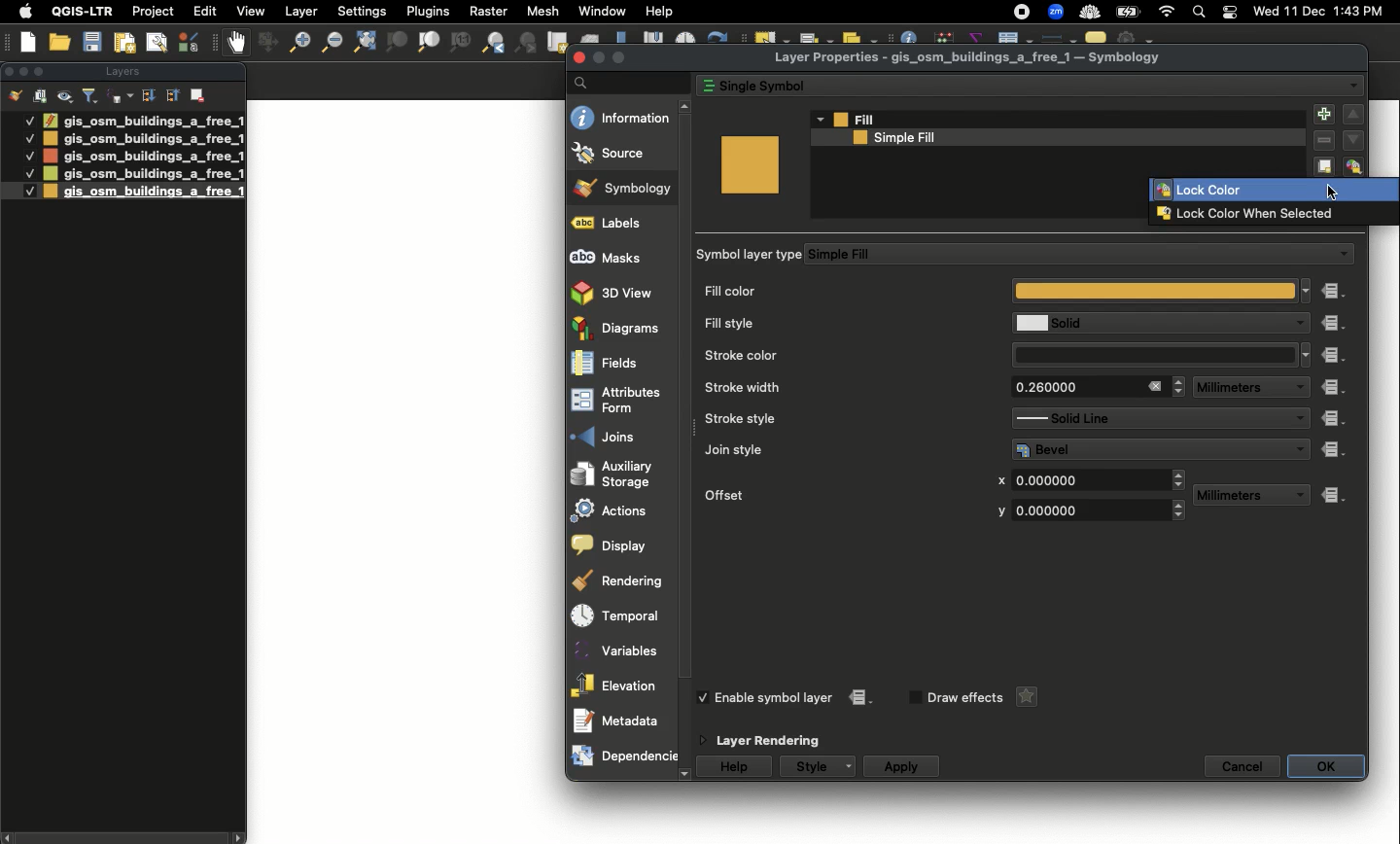 The image size is (1400, 844). I want to click on 1:43 PM, so click(1361, 11).